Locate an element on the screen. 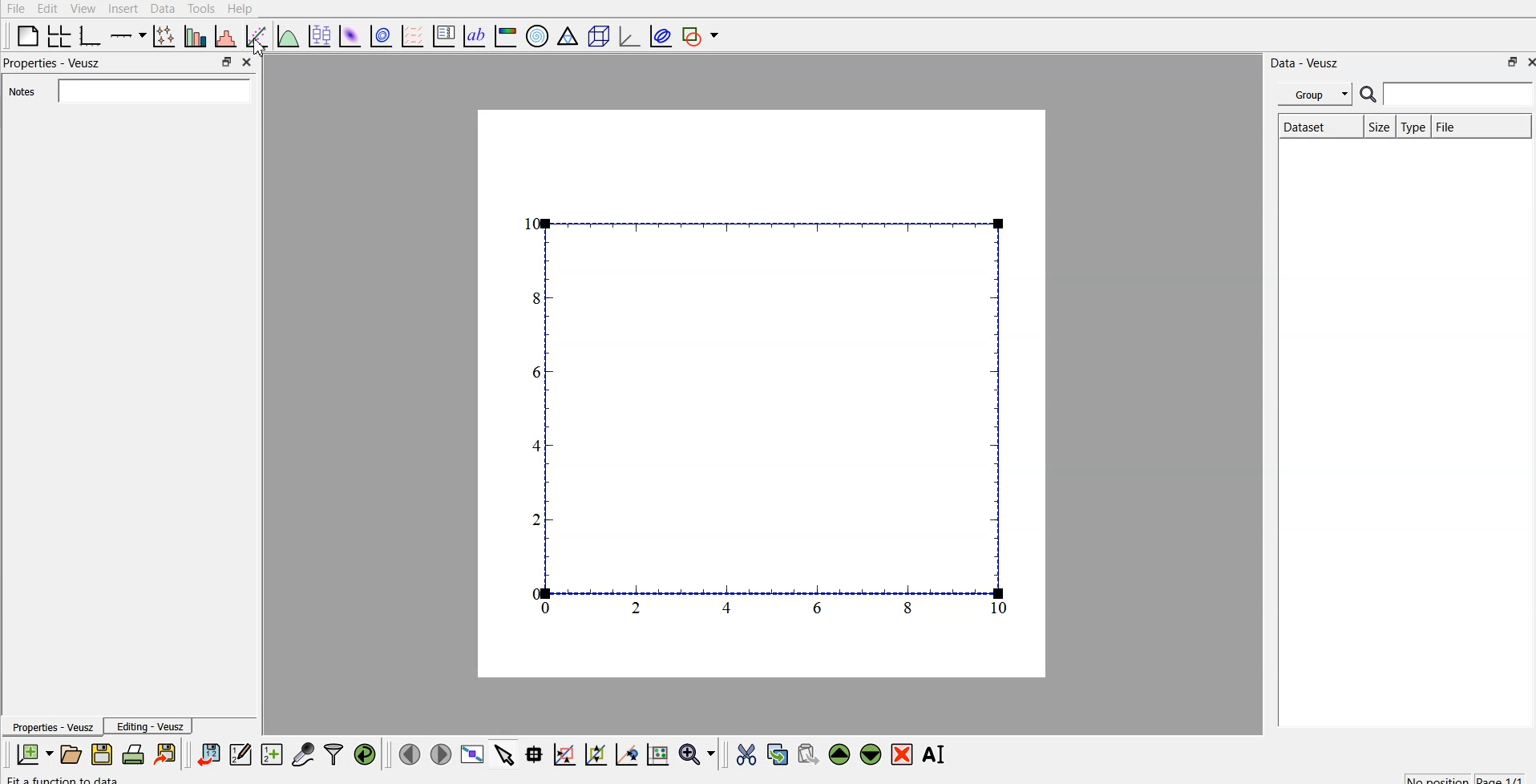  capture remote data is located at coordinates (305, 755).